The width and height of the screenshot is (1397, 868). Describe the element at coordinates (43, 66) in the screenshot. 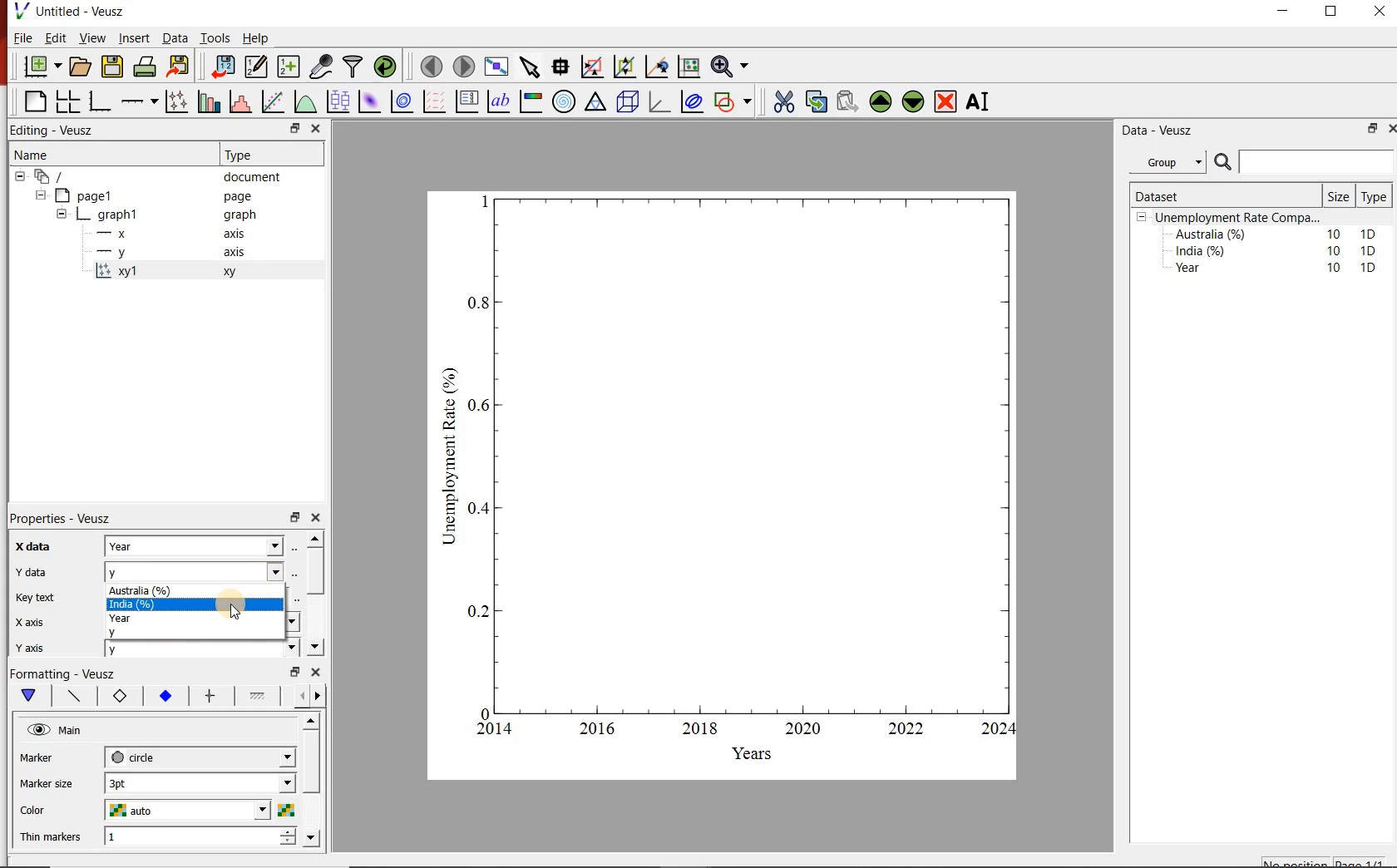

I see `new document` at that location.